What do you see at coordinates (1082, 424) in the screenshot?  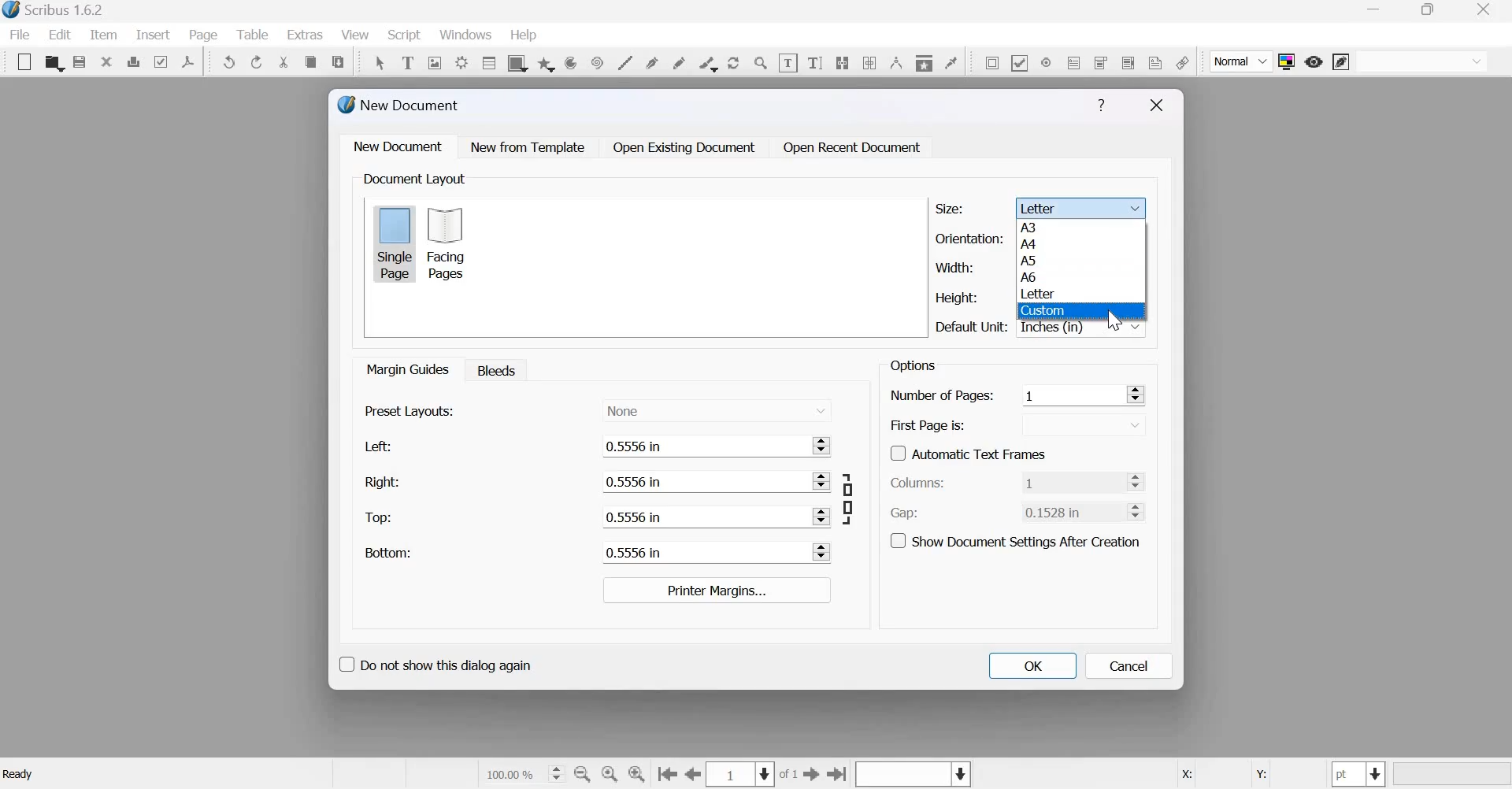 I see `down` at bounding box center [1082, 424].